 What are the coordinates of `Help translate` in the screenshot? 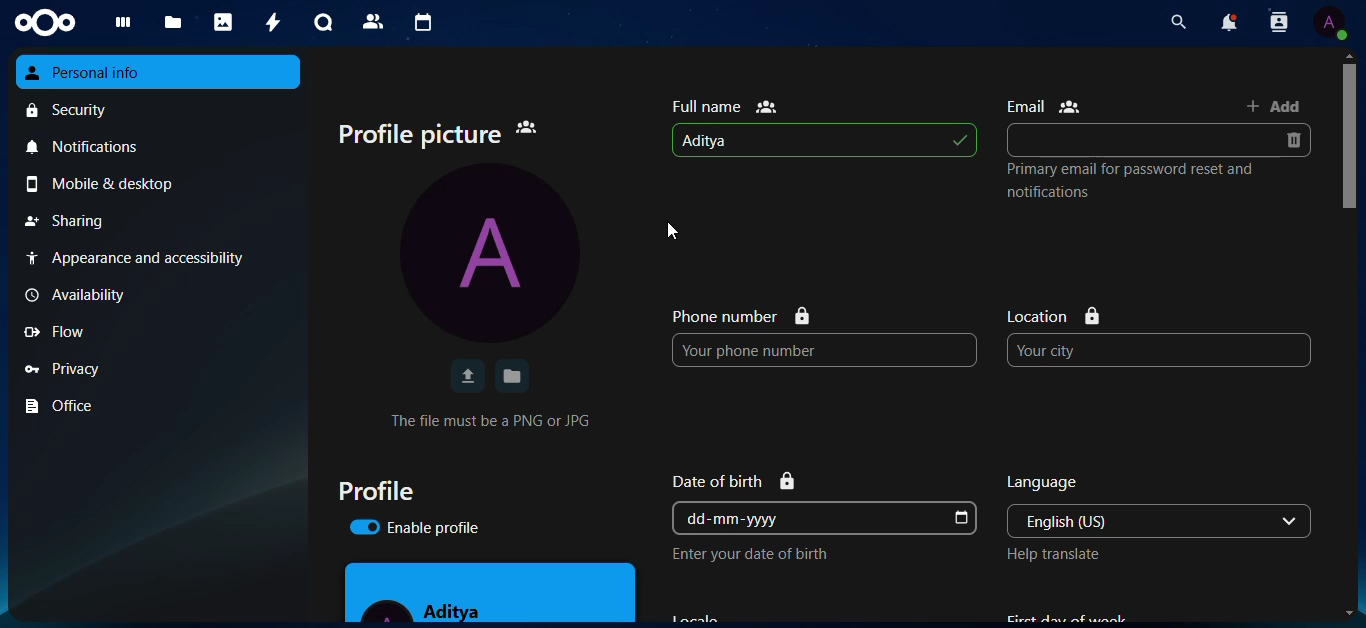 It's located at (1053, 554).